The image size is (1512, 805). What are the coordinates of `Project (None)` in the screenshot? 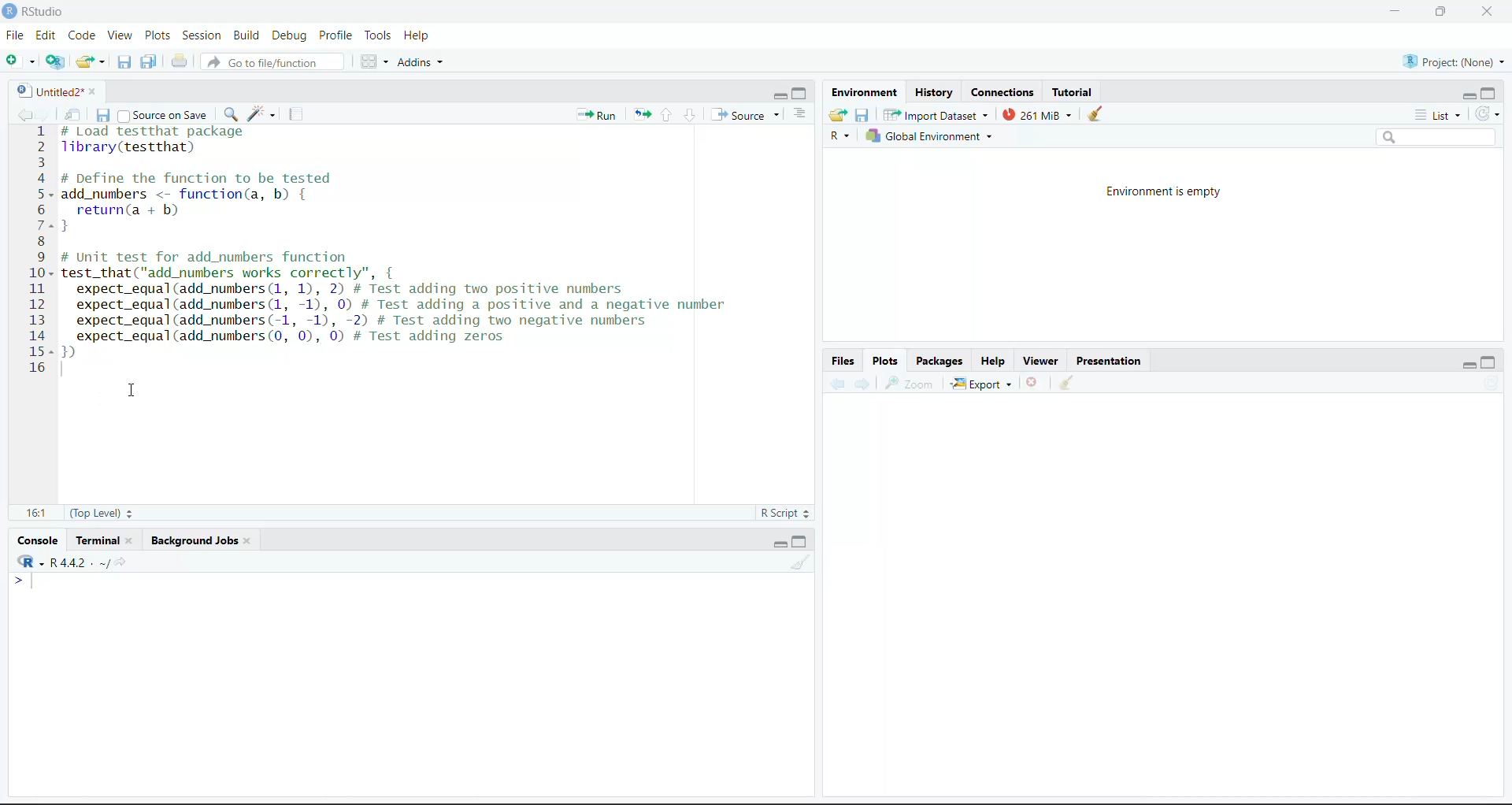 It's located at (1455, 61).